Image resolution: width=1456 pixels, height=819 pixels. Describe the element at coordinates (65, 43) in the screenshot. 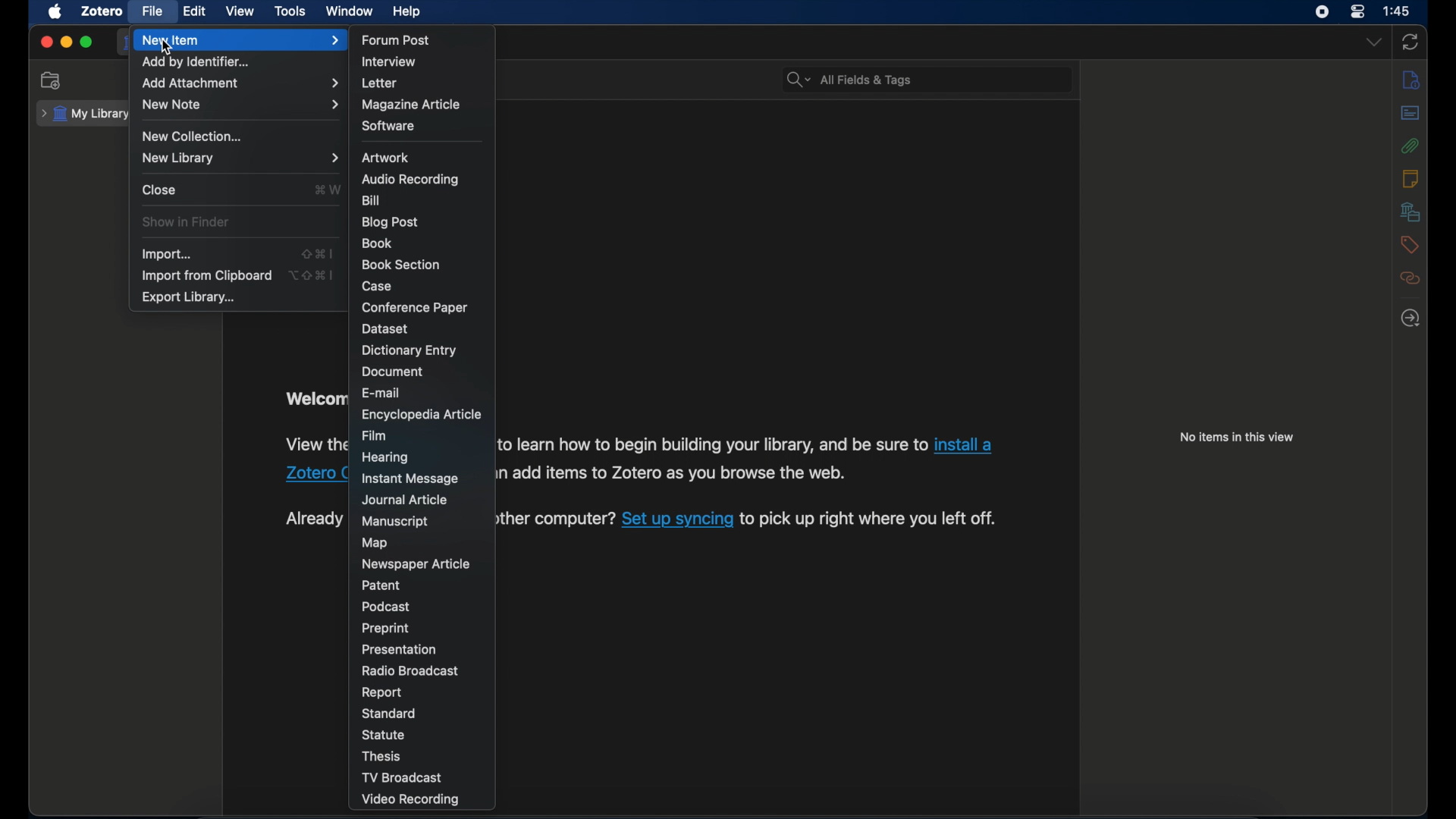

I see `minimize` at that location.